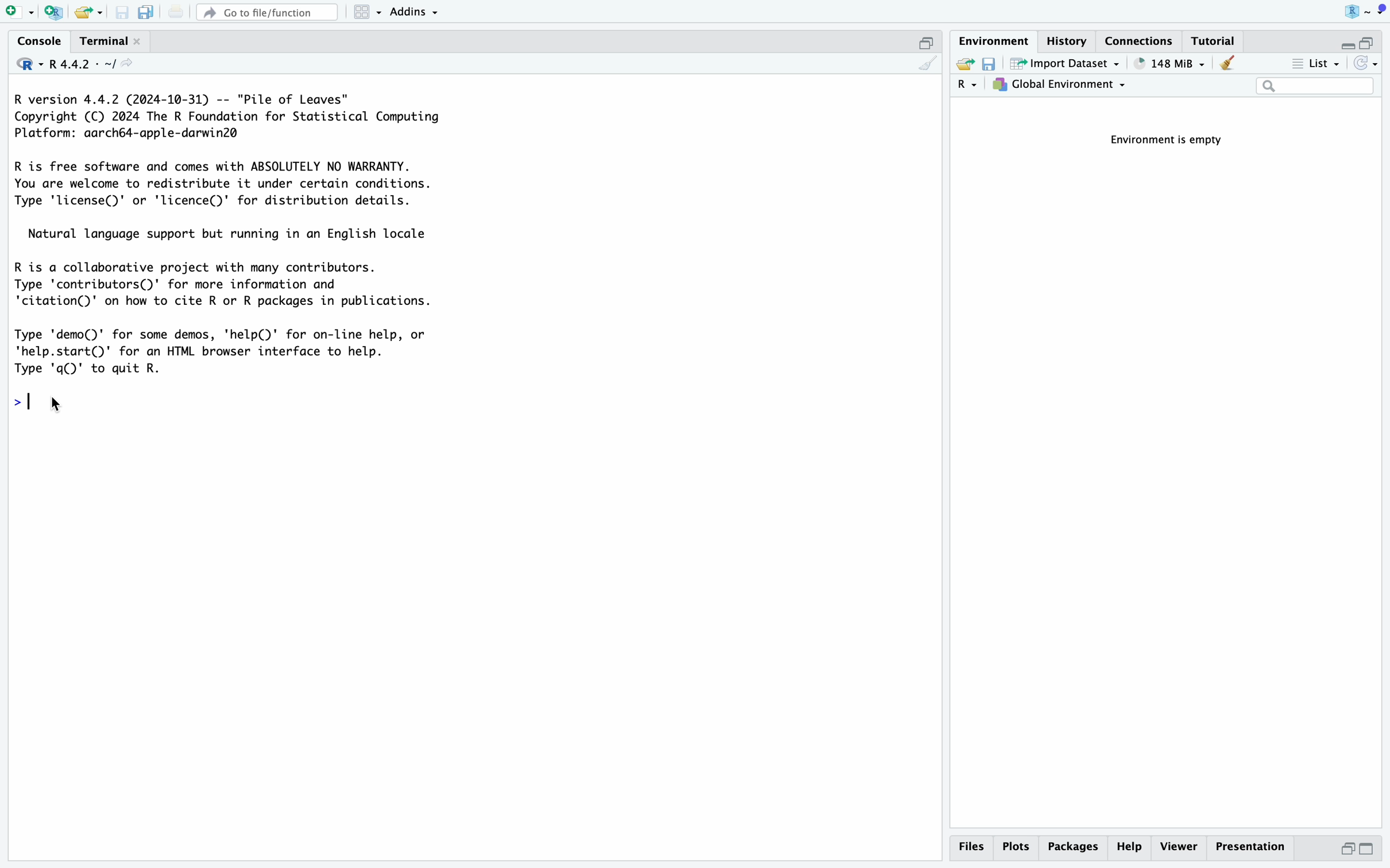 The image size is (1390, 868). I want to click on minimize, so click(1342, 40).